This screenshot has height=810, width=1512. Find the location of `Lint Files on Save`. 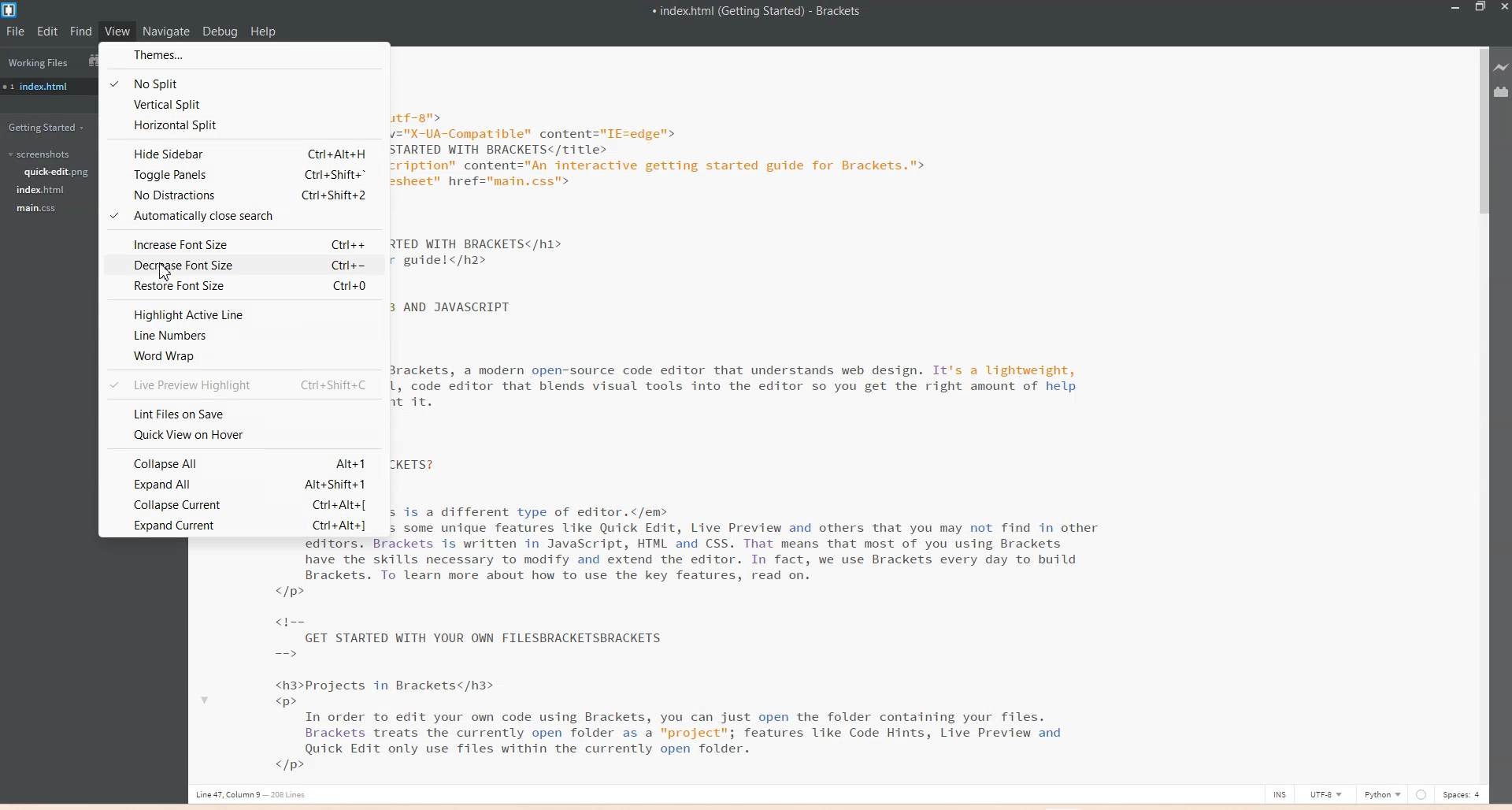

Lint Files on Save is located at coordinates (245, 414).